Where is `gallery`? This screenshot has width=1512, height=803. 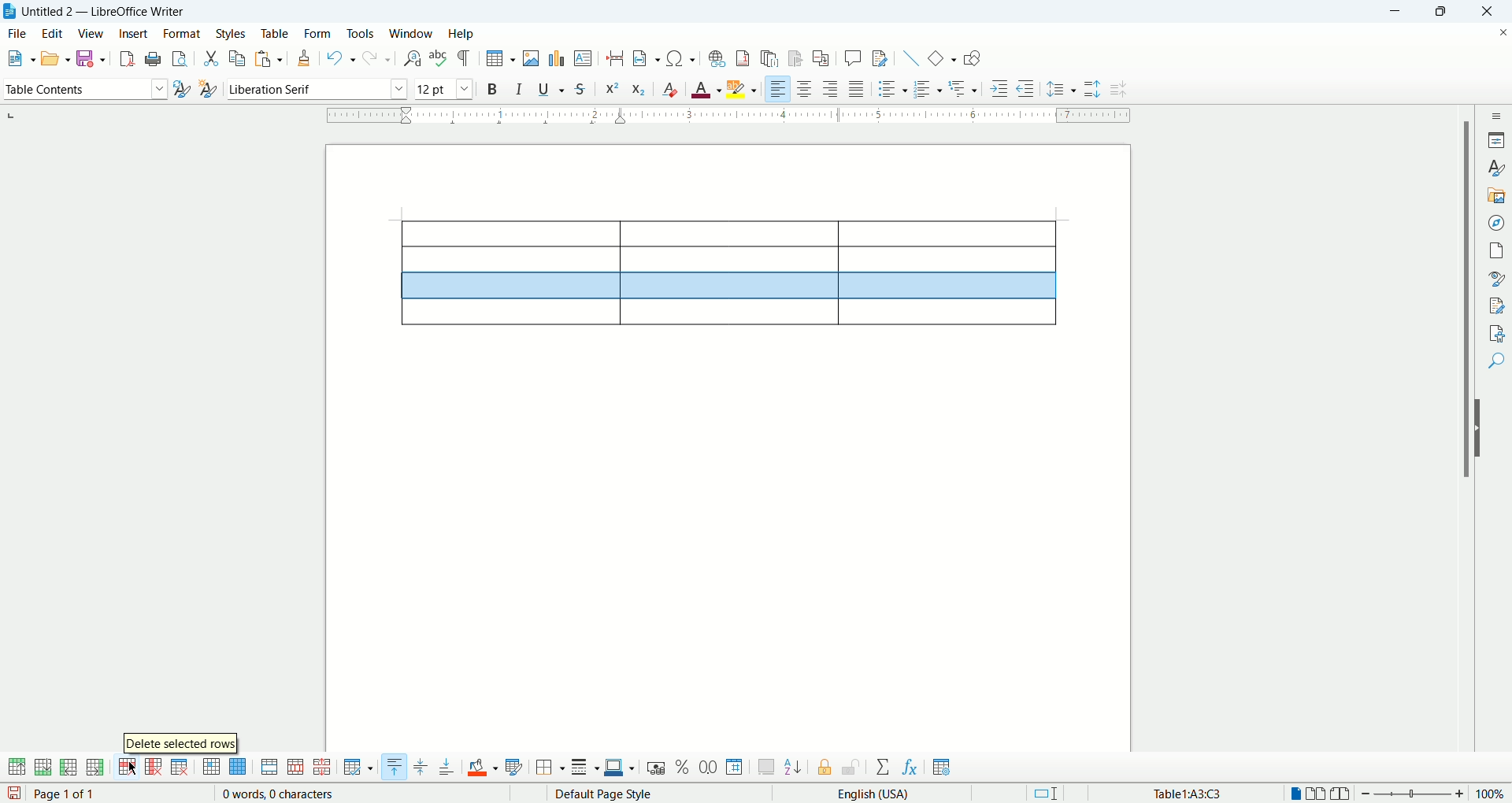 gallery is located at coordinates (1496, 197).